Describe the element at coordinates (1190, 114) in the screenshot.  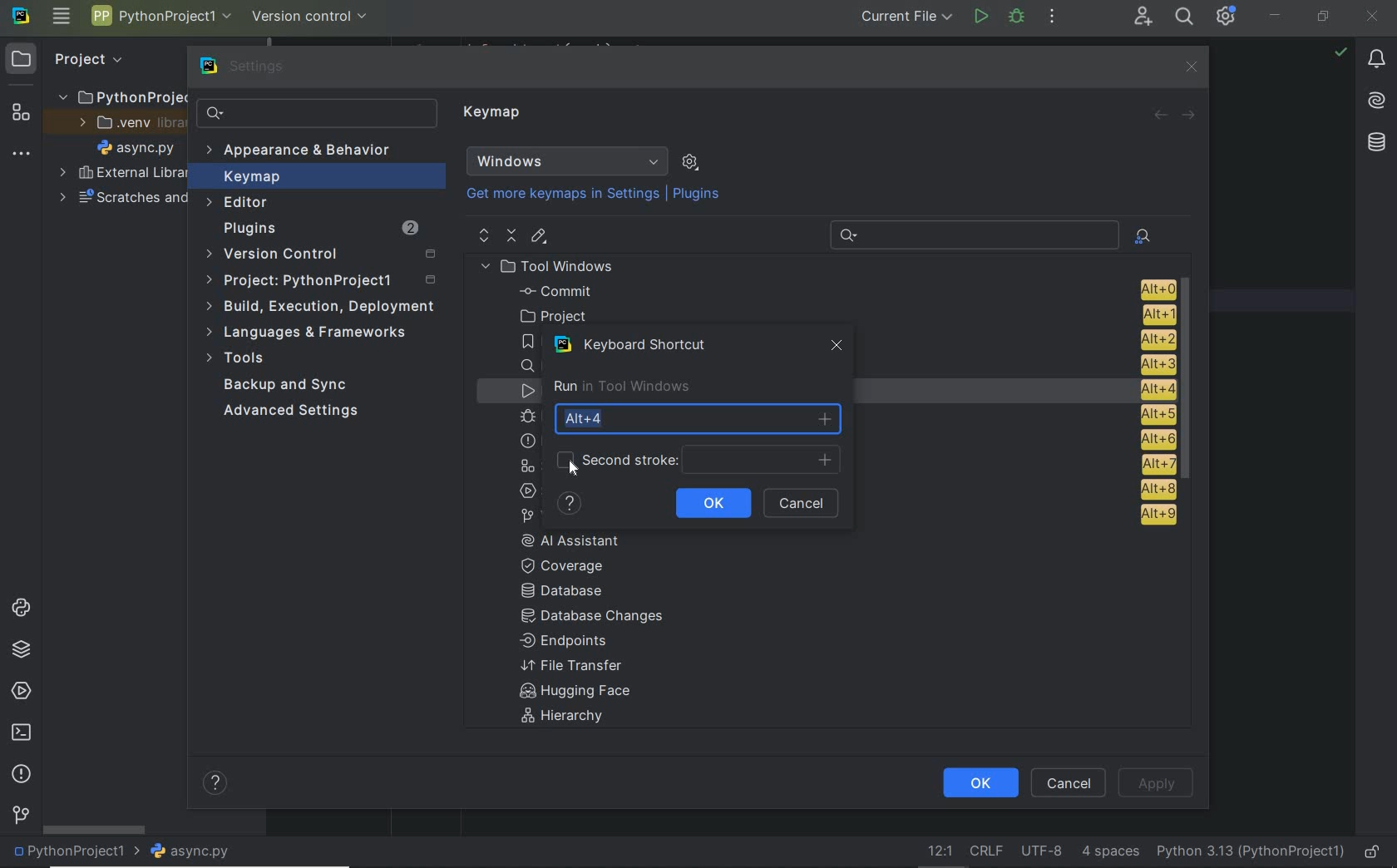
I see `forward` at that location.